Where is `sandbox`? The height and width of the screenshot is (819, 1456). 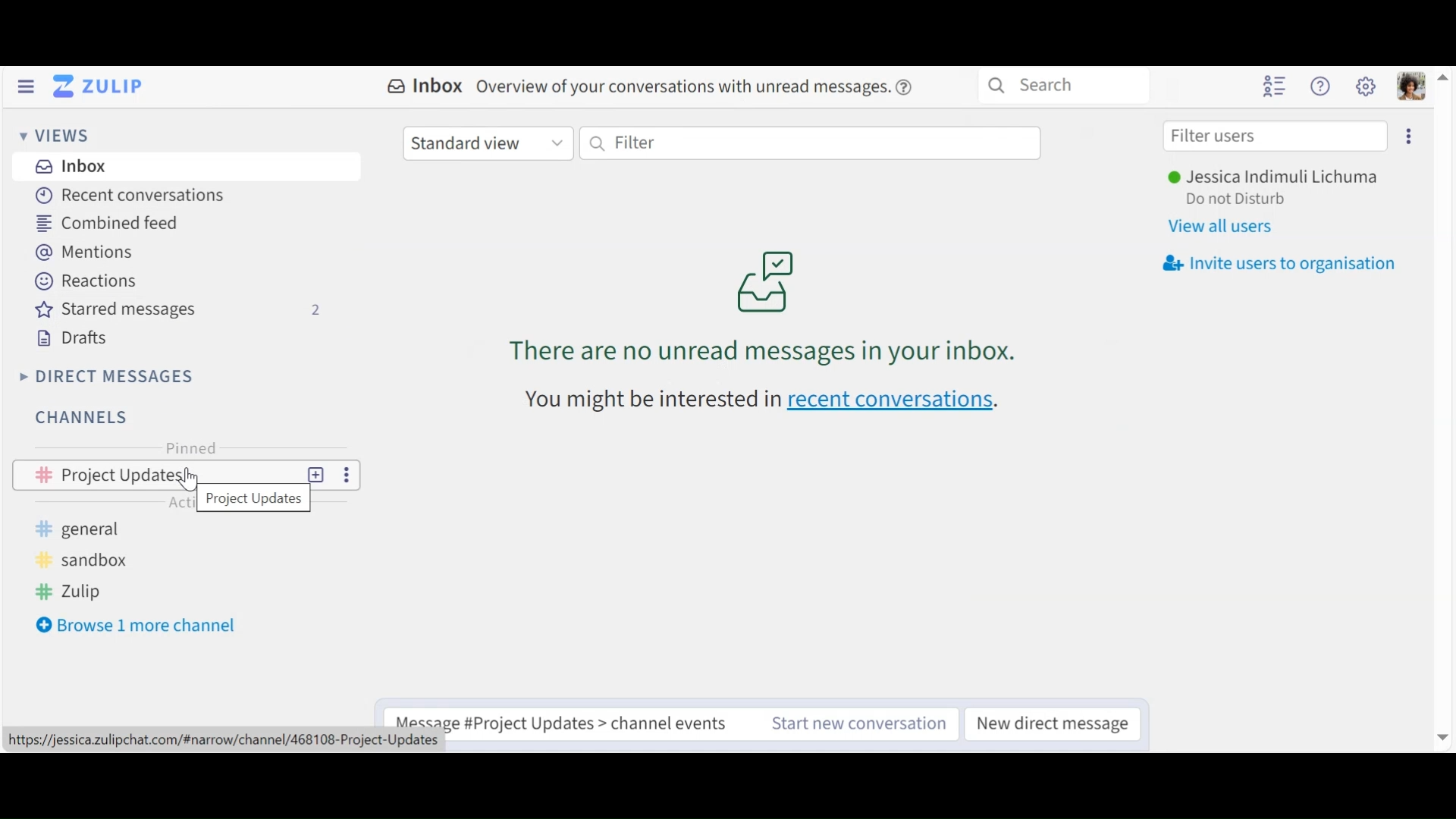 sandbox is located at coordinates (86, 560).